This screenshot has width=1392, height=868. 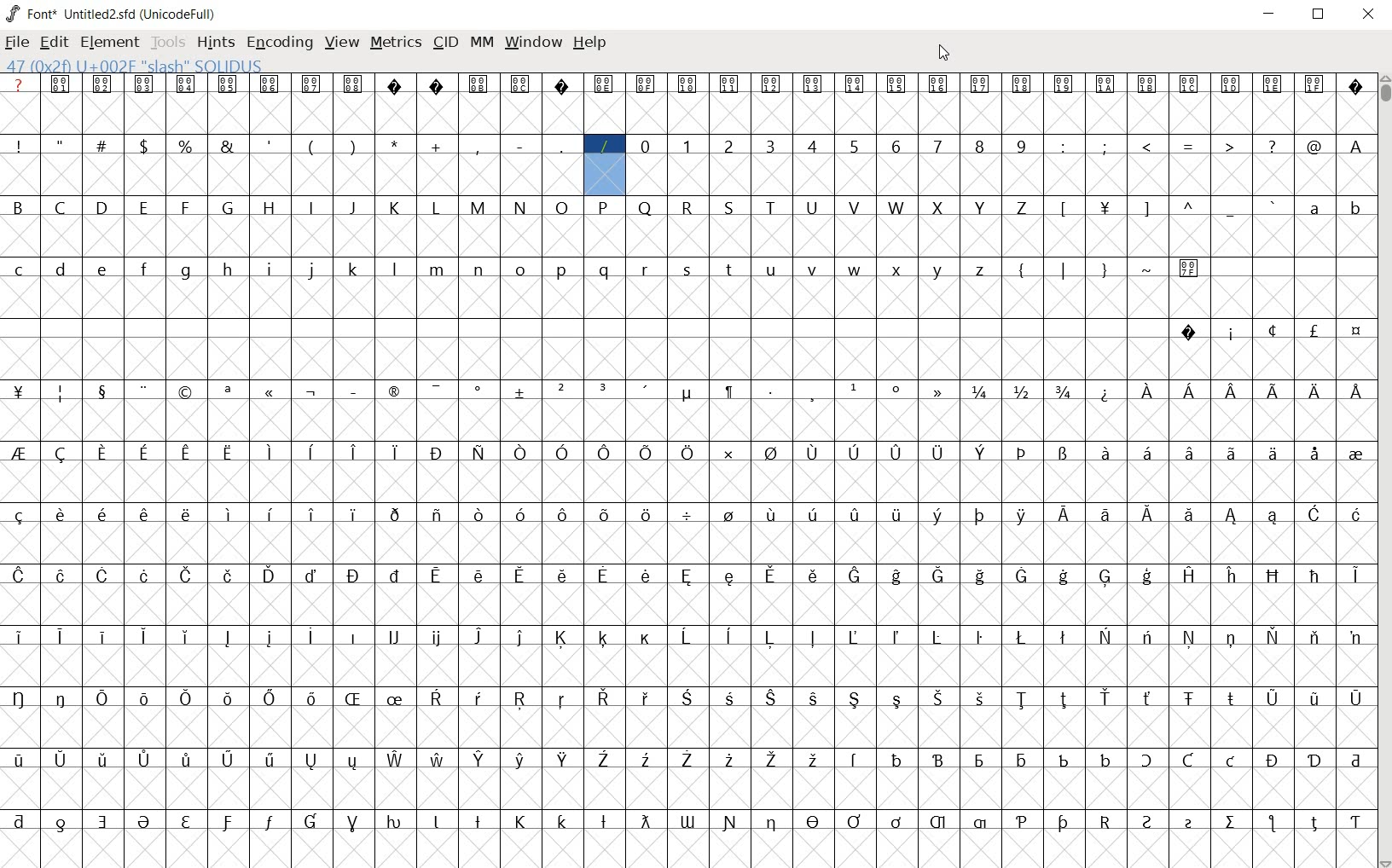 What do you see at coordinates (855, 515) in the screenshot?
I see `glyph` at bounding box center [855, 515].